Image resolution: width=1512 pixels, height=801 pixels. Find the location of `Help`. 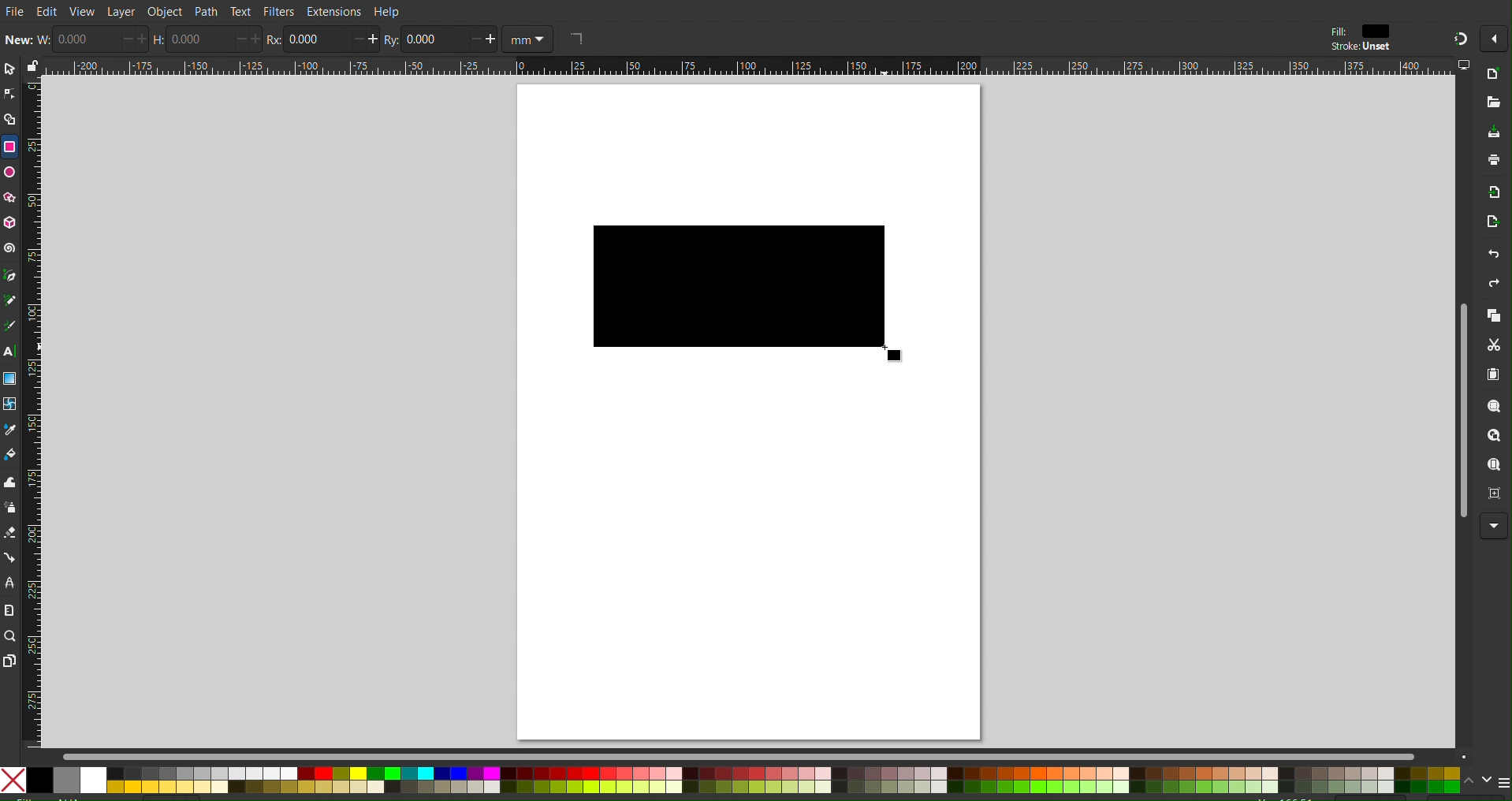

Help is located at coordinates (390, 10).